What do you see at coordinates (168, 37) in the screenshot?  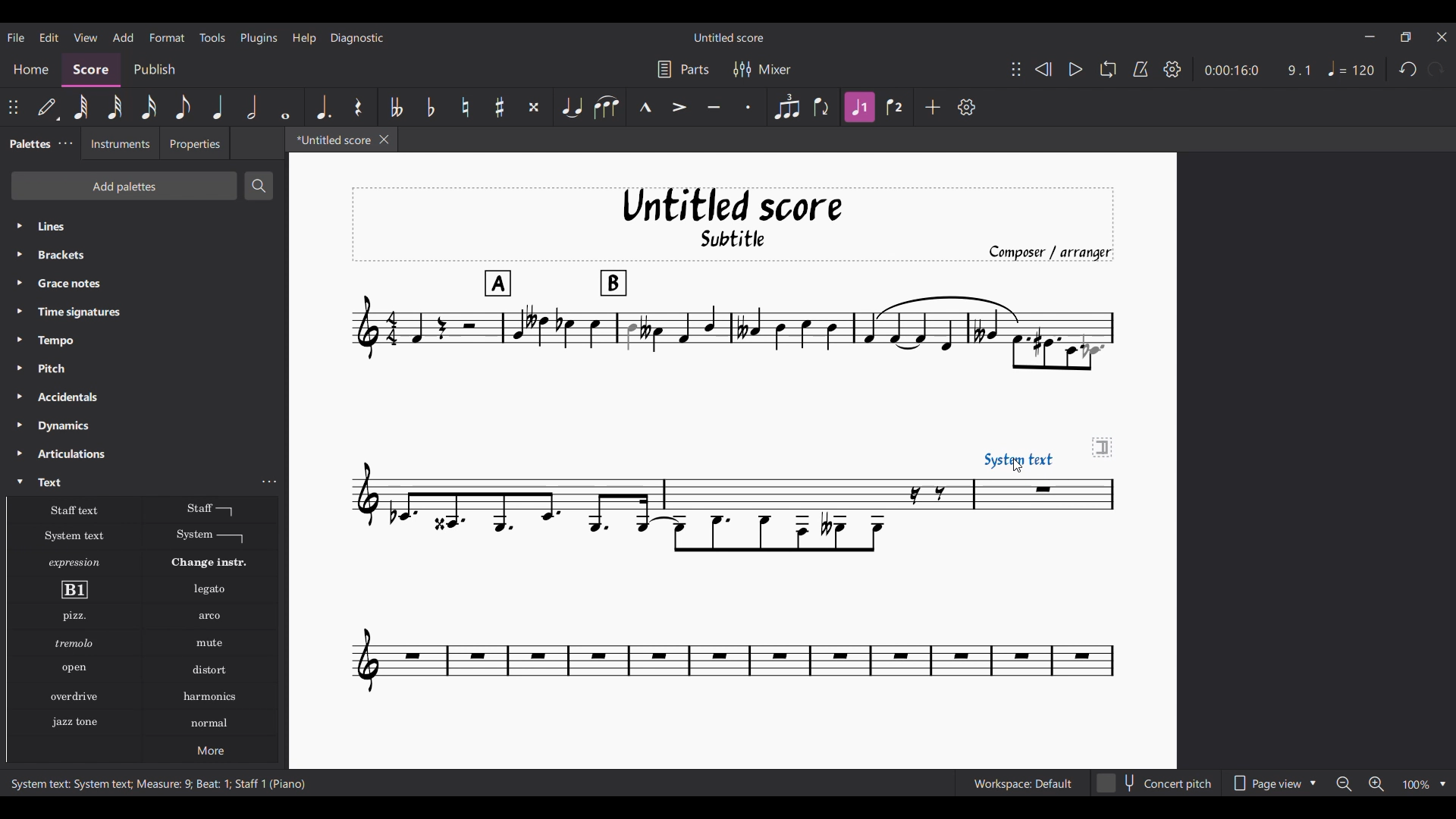 I see `Format menu` at bounding box center [168, 37].